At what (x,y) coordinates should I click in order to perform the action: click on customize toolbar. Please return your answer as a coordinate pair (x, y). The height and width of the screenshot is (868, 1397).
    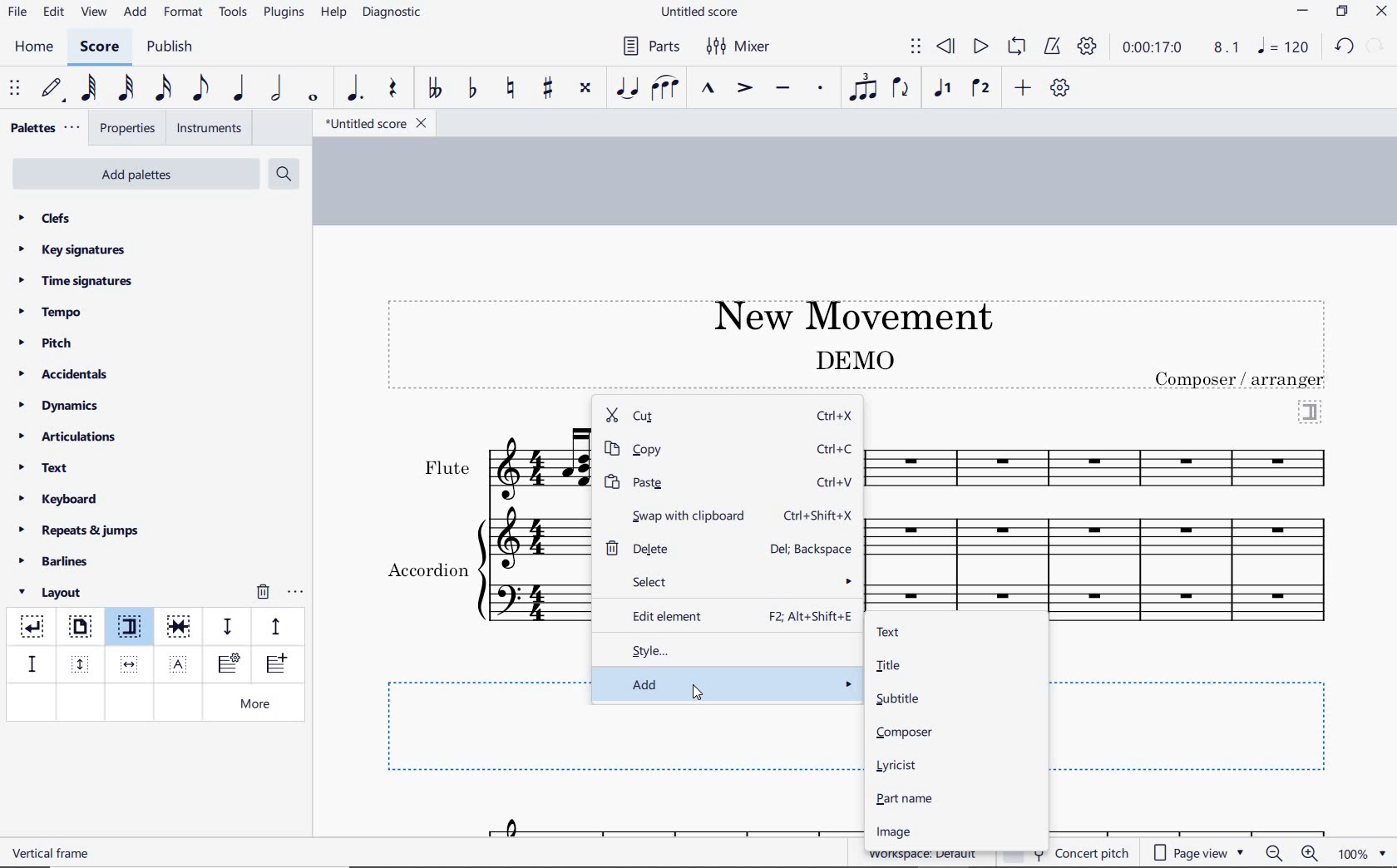
    Looking at the image, I should click on (1061, 89).